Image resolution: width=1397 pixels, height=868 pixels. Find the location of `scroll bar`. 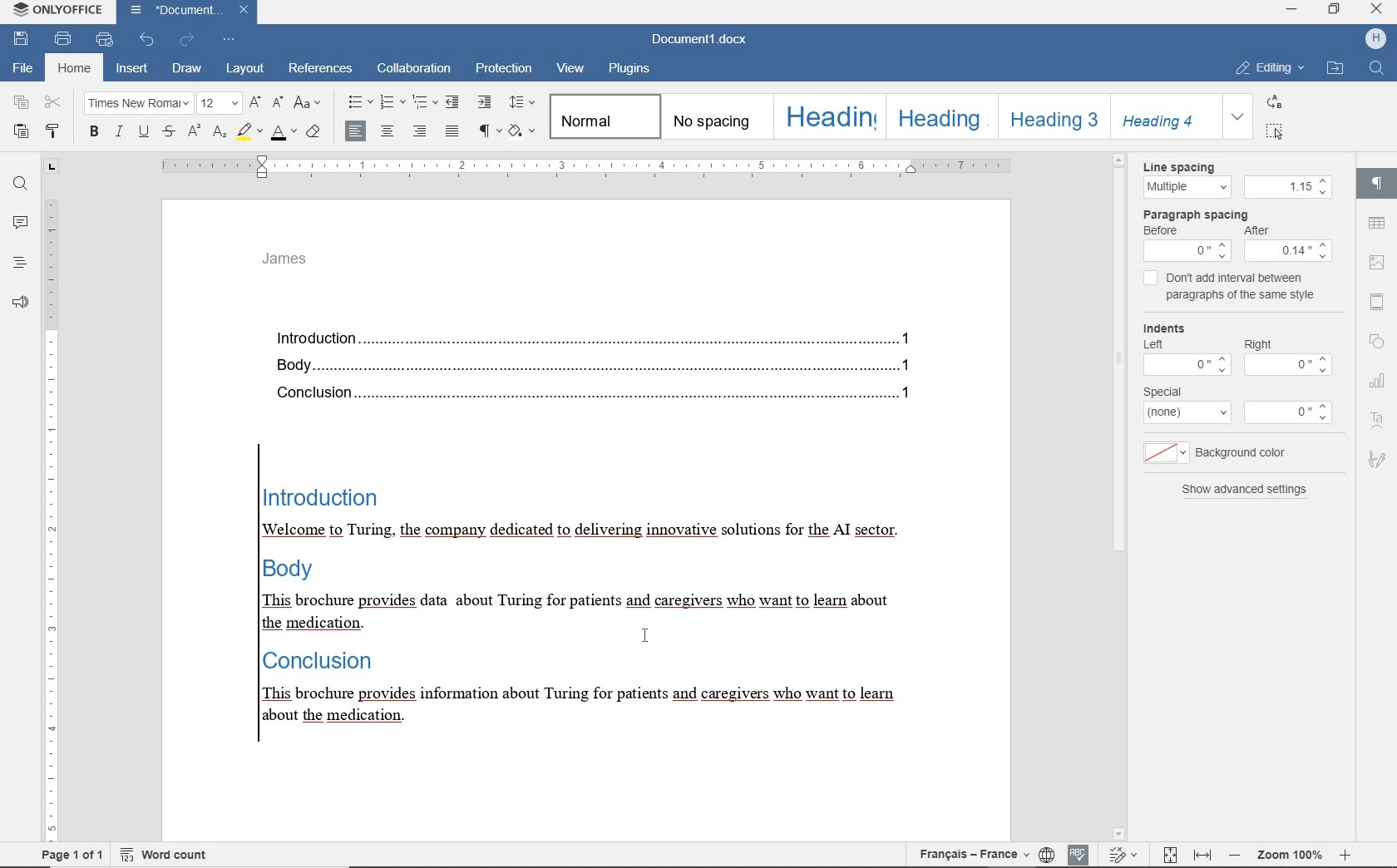

scroll bar is located at coordinates (1119, 497).